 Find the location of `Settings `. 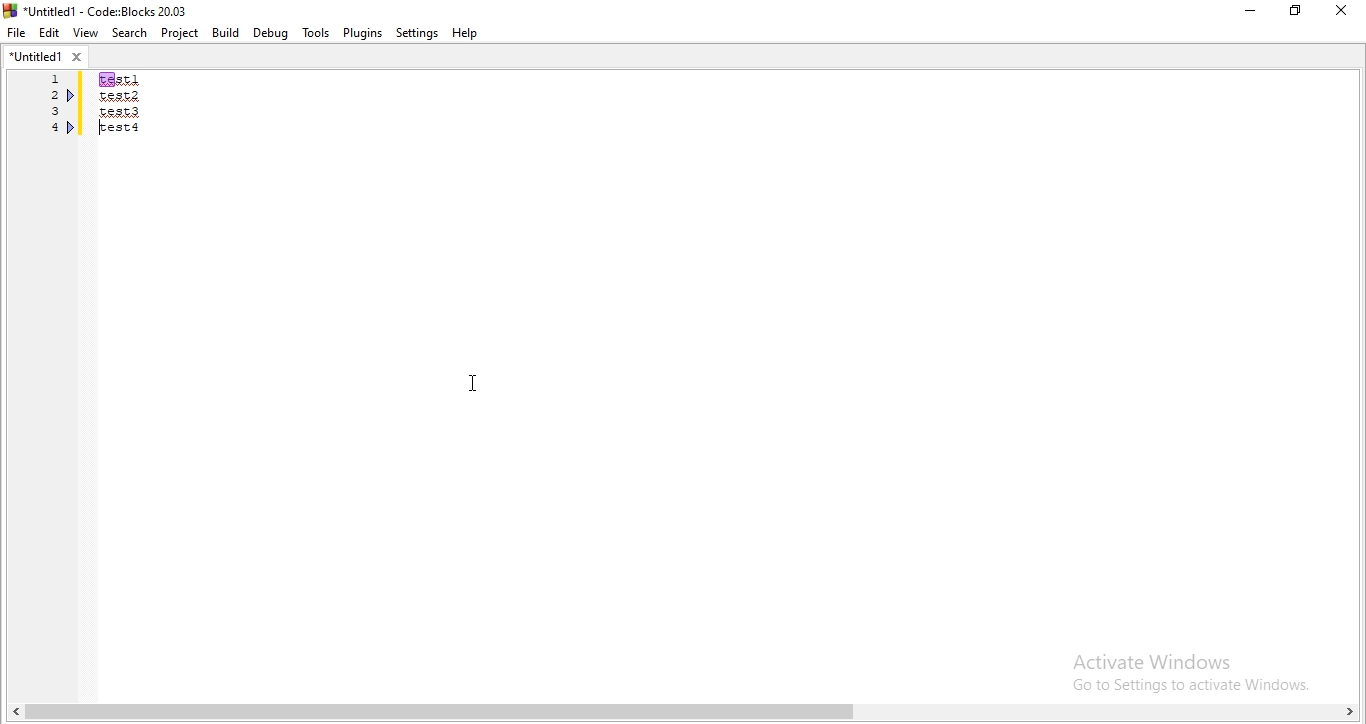

Settings  is located at coordinates (417, 34).